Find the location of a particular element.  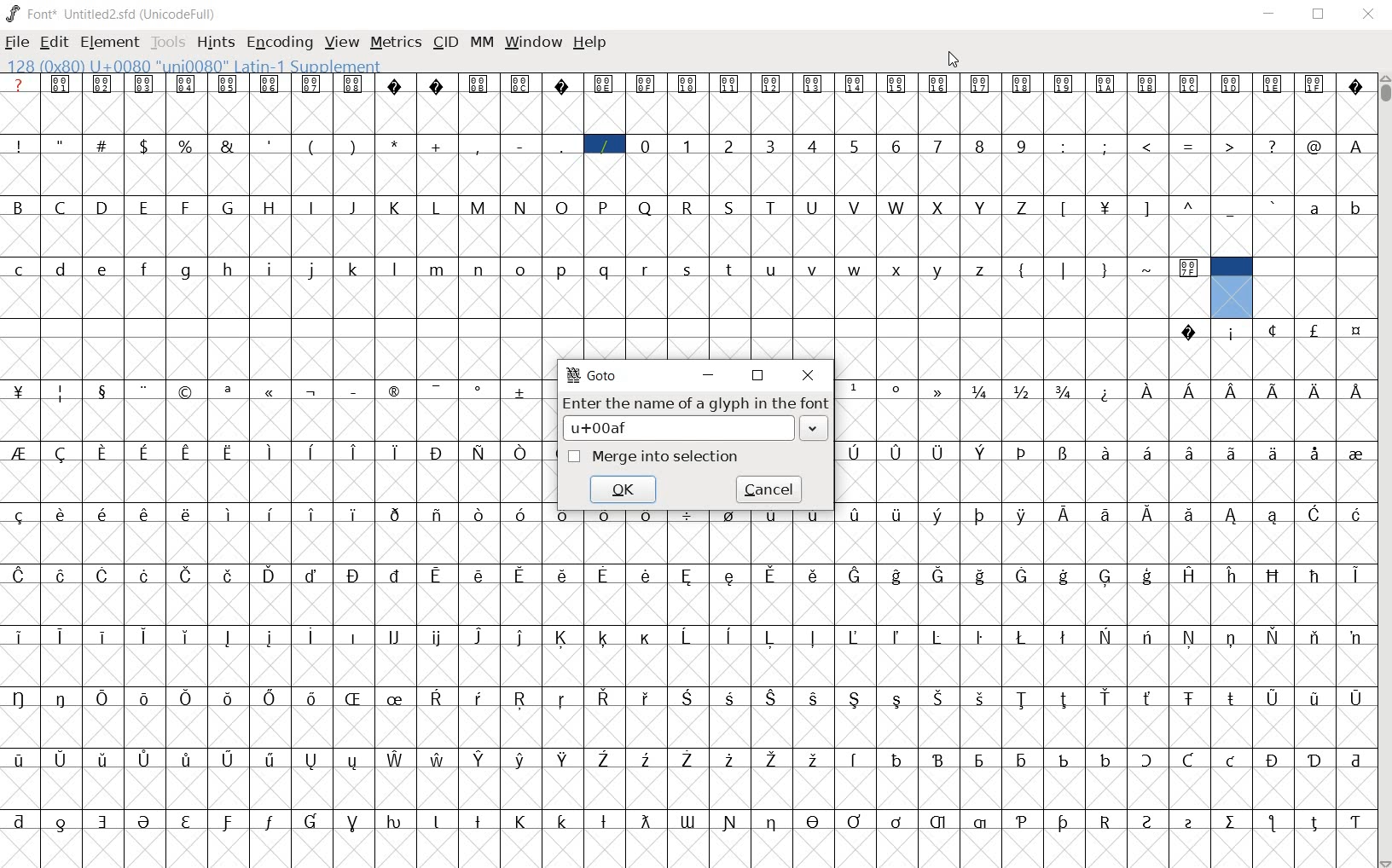

; is located at coordinates (1106, 146).